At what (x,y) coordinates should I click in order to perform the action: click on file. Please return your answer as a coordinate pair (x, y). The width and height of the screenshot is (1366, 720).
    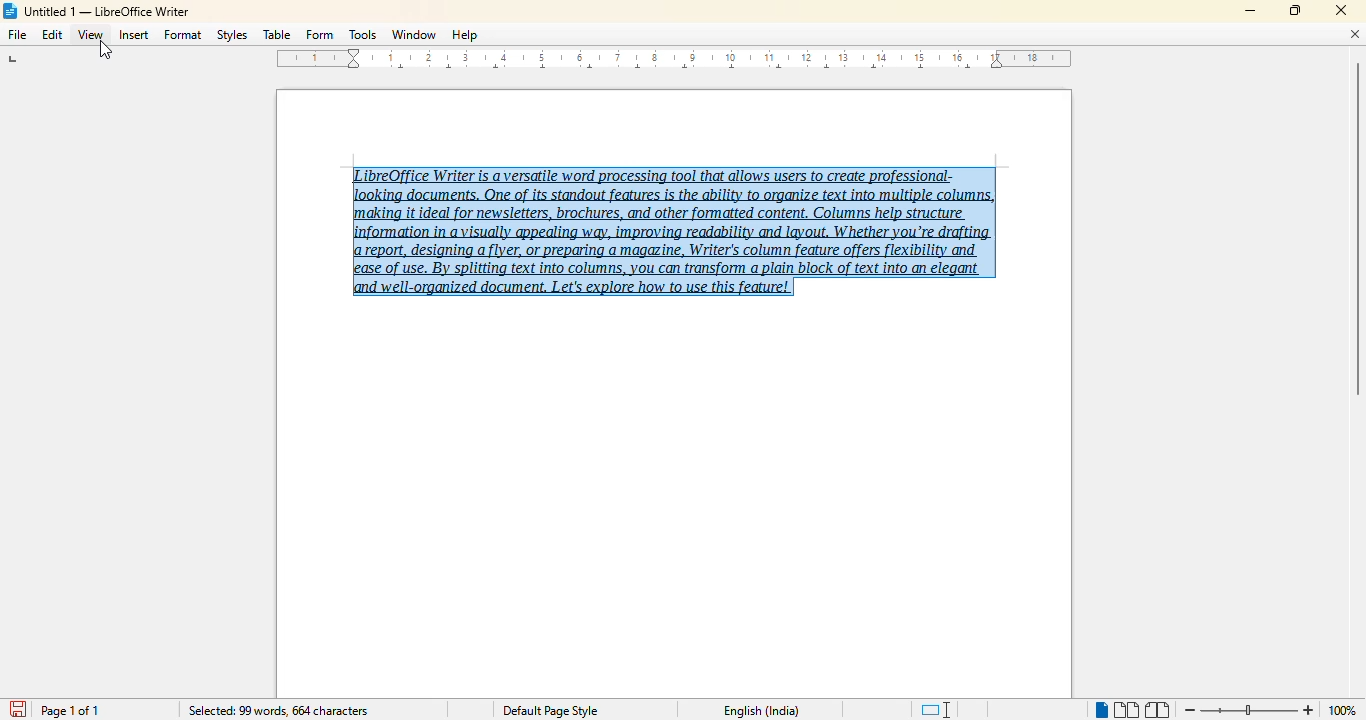
    Looking at the image, I should click on (16, 34).